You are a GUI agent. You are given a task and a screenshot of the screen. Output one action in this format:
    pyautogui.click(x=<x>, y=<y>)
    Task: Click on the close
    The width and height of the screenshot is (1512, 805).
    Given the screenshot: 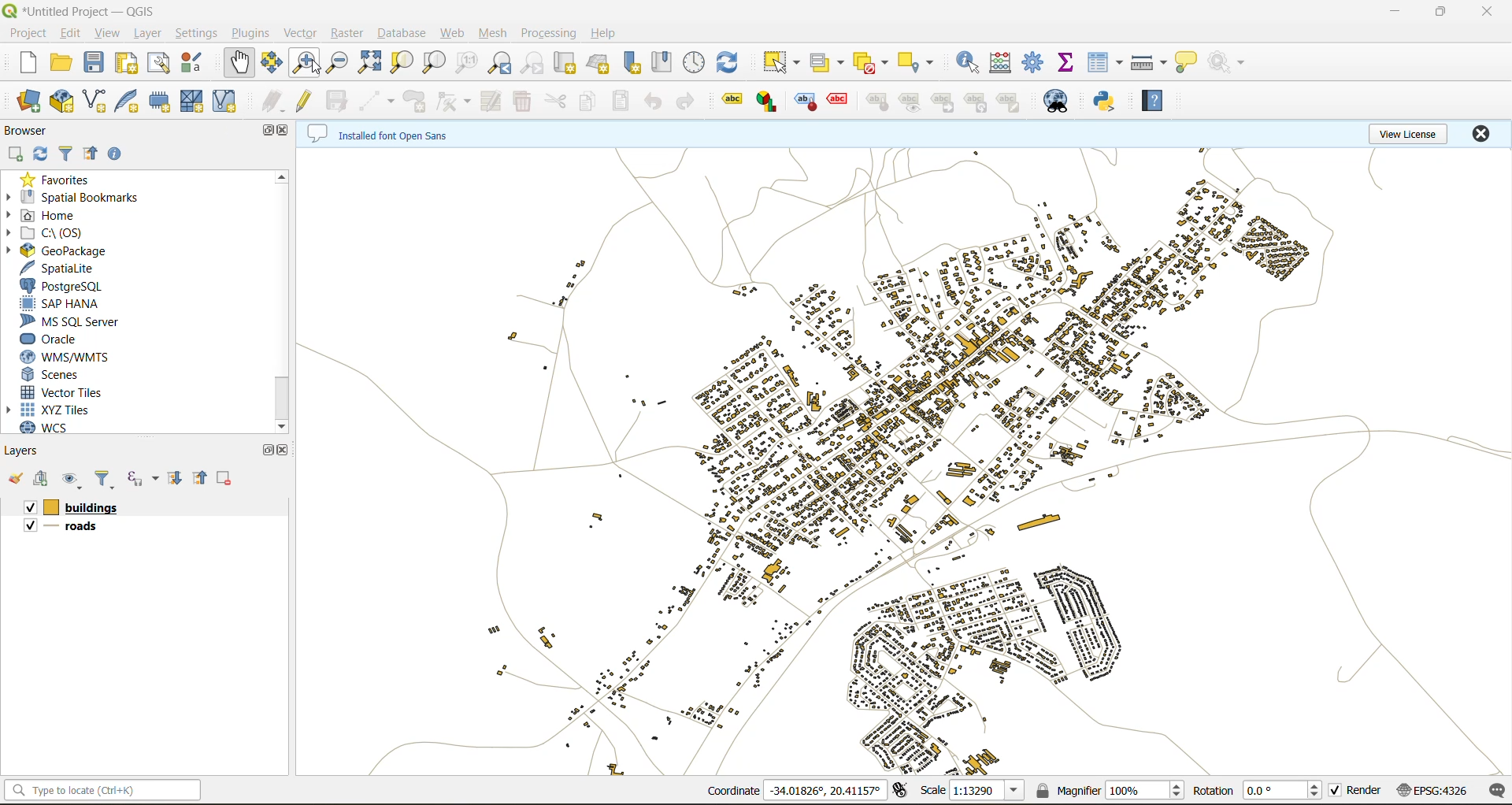 What is the action you would take?
    pyautogui.click(x=1486, y=12)
    